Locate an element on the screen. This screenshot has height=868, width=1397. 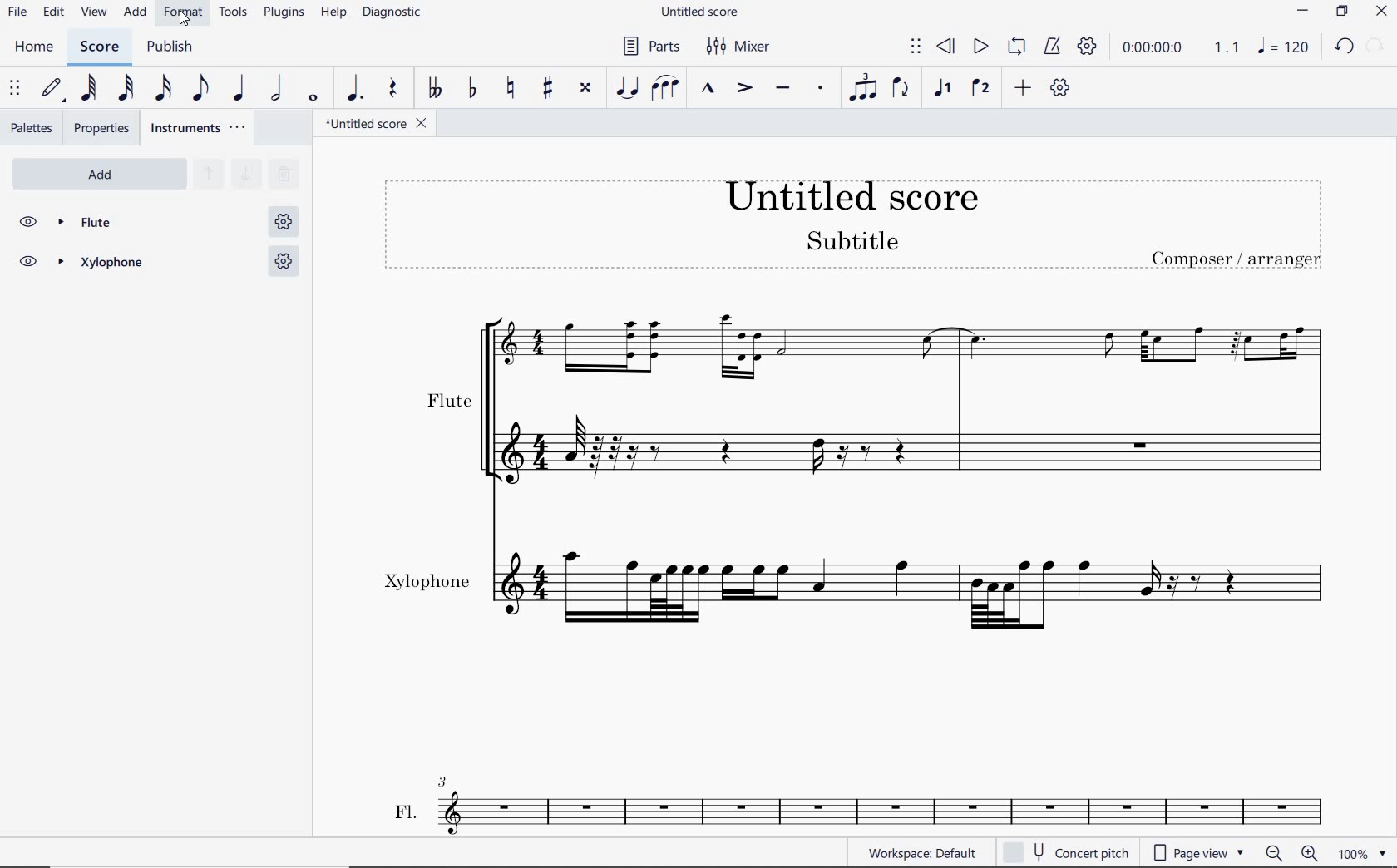
Xylophone is located at coordinates (866, 588).